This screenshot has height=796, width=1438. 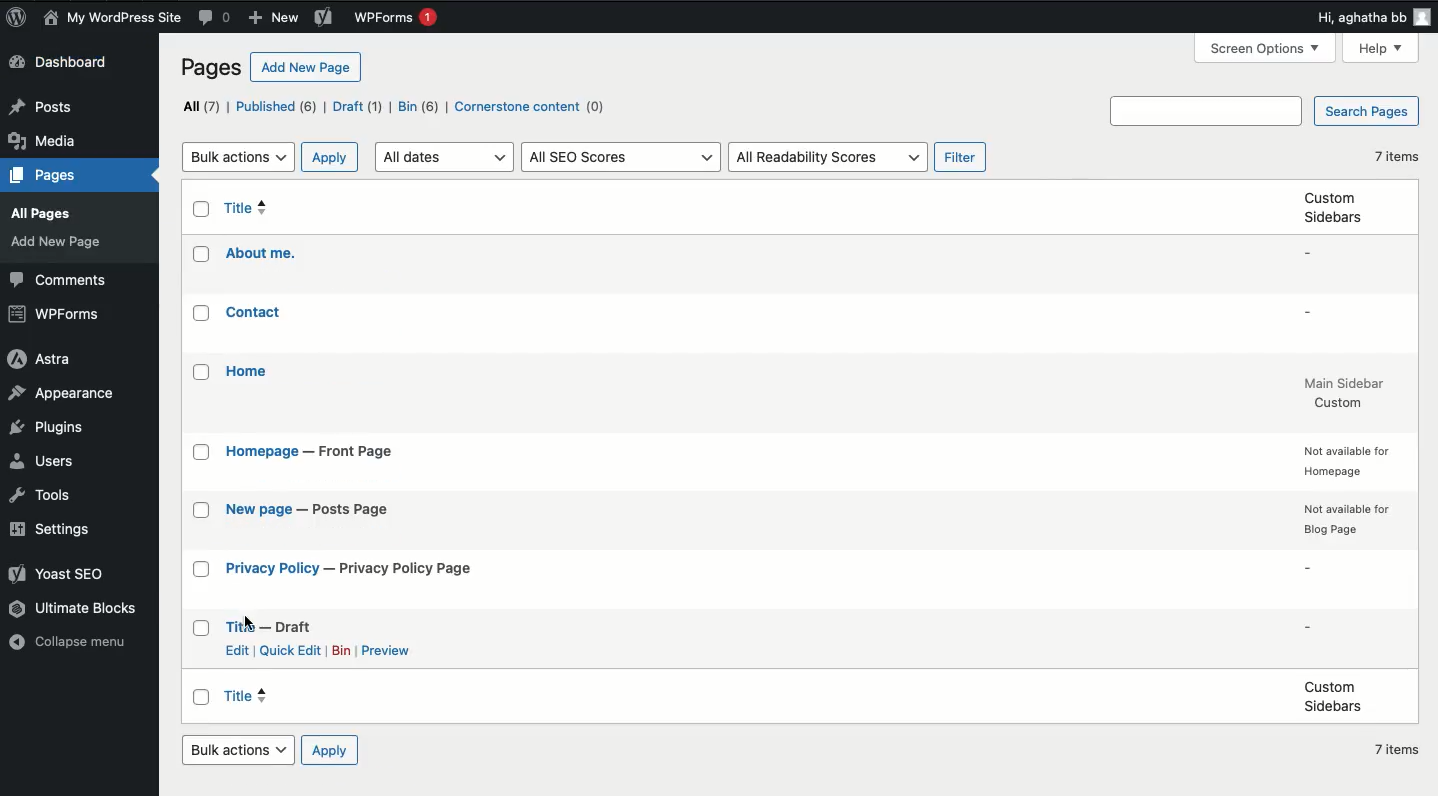 What do you see at coordinates (40, 461) in the screenshot?
I see `Users` at bounding box center [40, 461].